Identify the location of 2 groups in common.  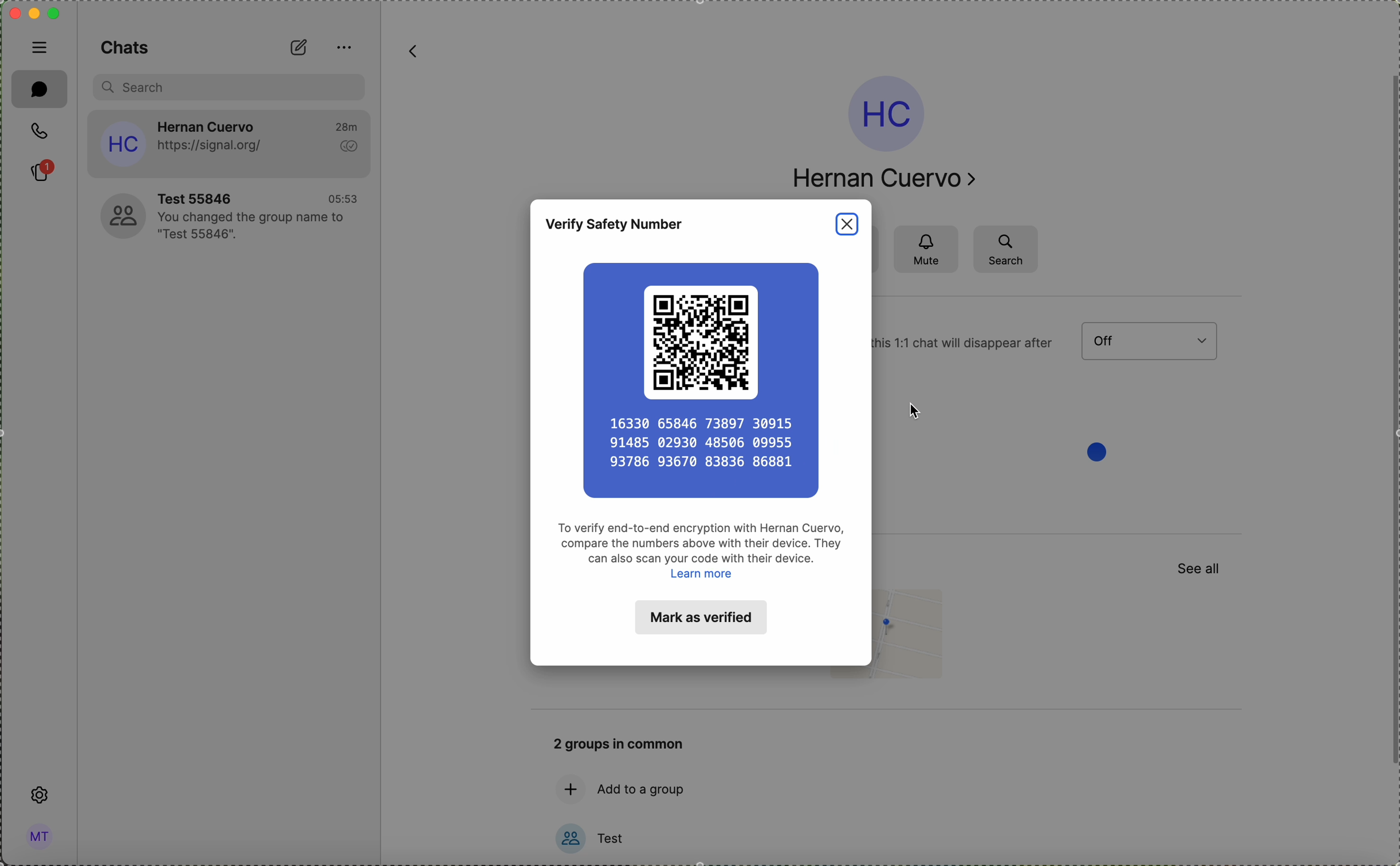
(619, 743).